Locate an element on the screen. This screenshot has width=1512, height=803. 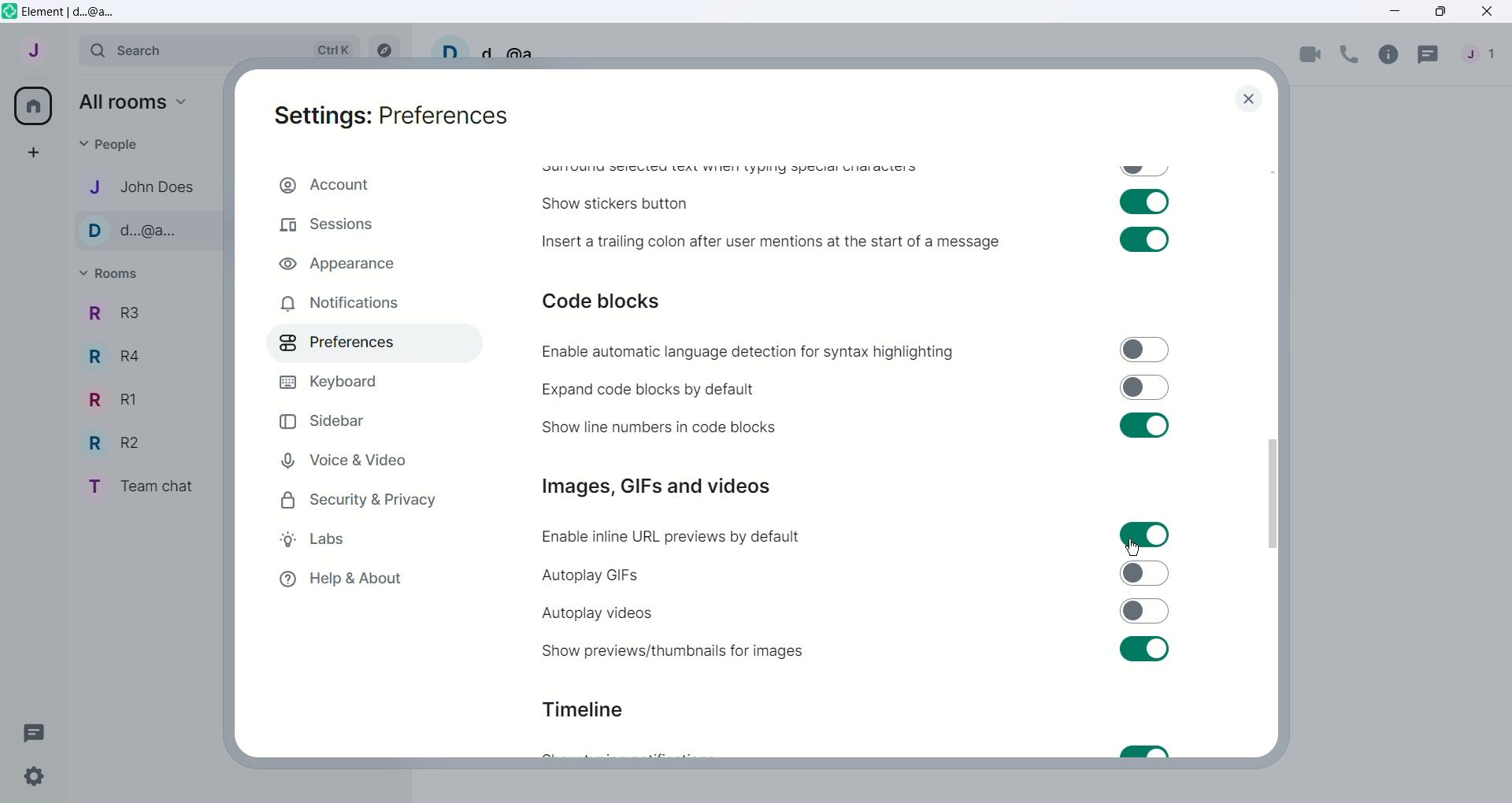
Show previews or thumbnails for images is located at coordinates (669, 650).